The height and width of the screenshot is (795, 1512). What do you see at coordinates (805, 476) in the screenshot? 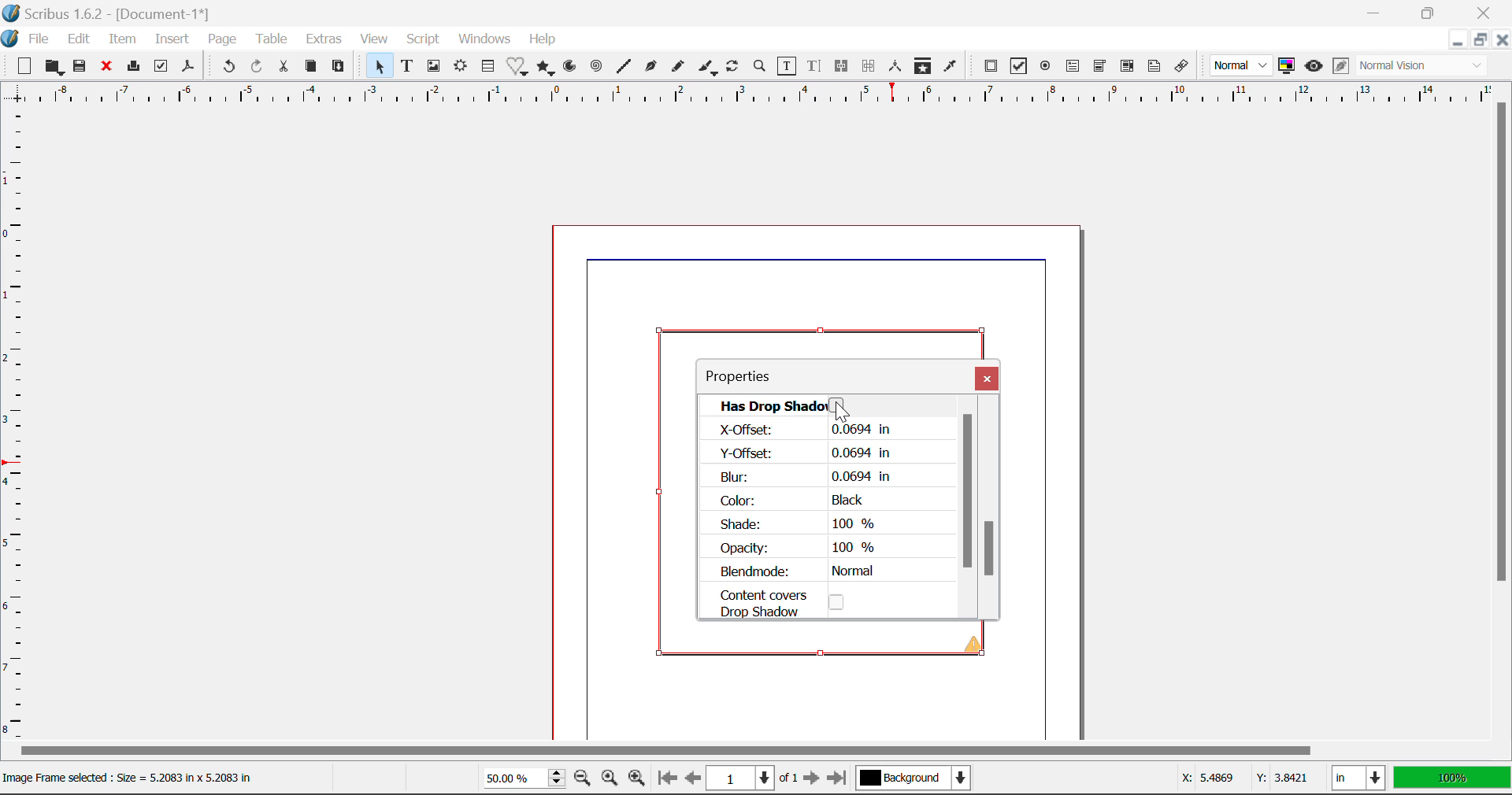
I see `Blur: 0.0694 in` at bounding box center [805, 476].